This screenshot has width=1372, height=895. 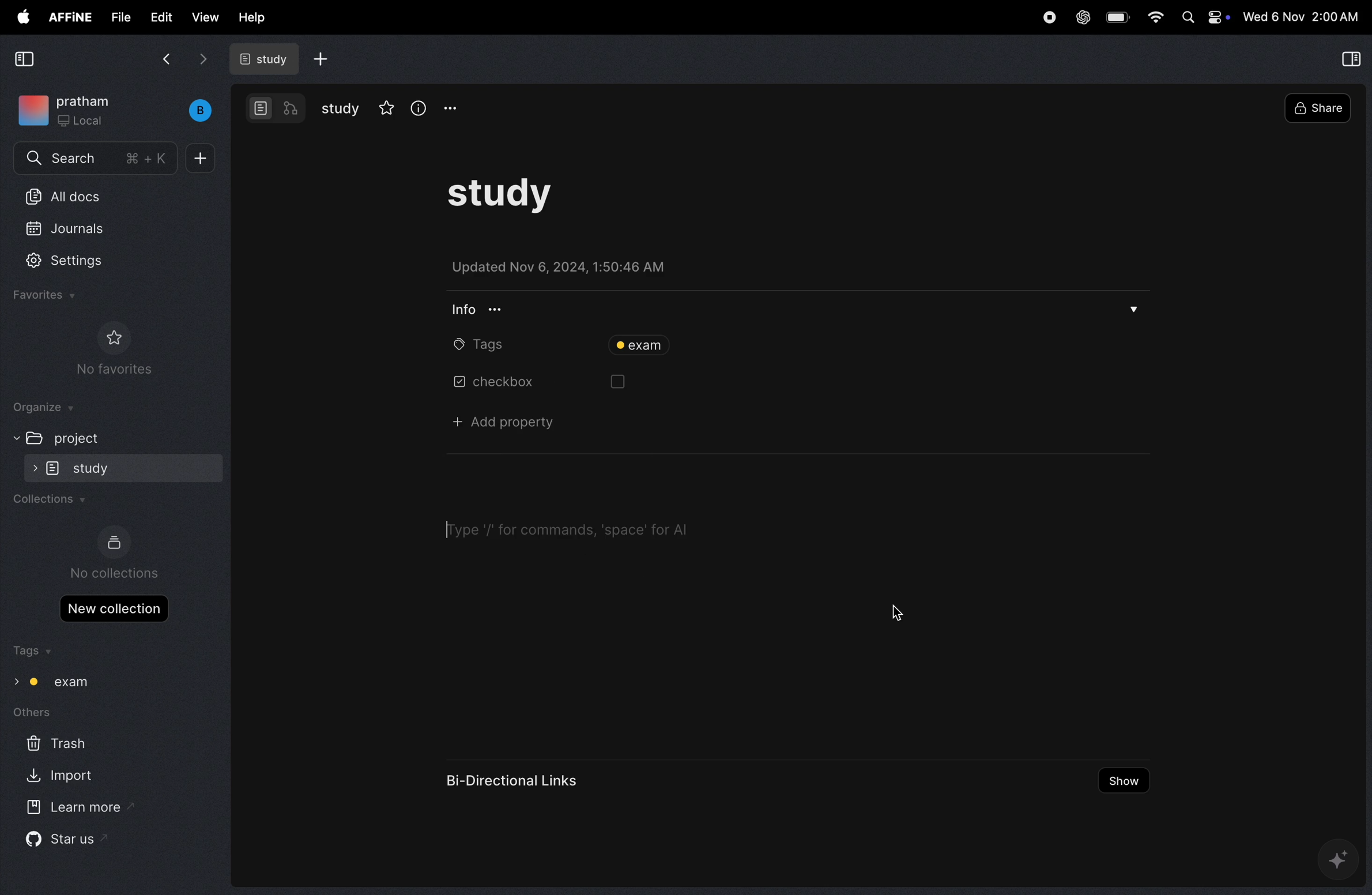 I want to click on share, so click(x=1317, y=106).